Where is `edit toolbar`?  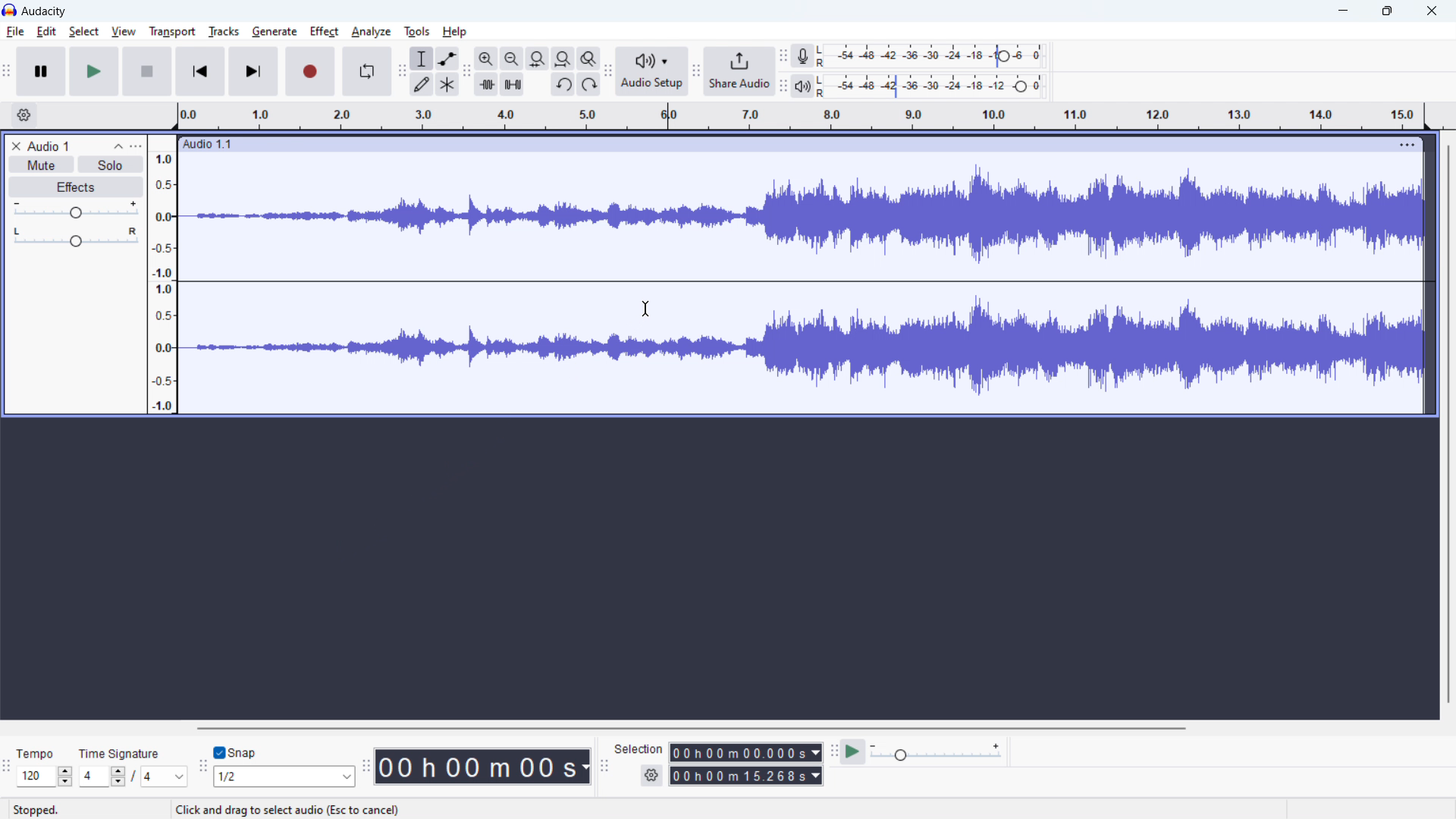
edit toolbar is located at coordinates (466, 71).